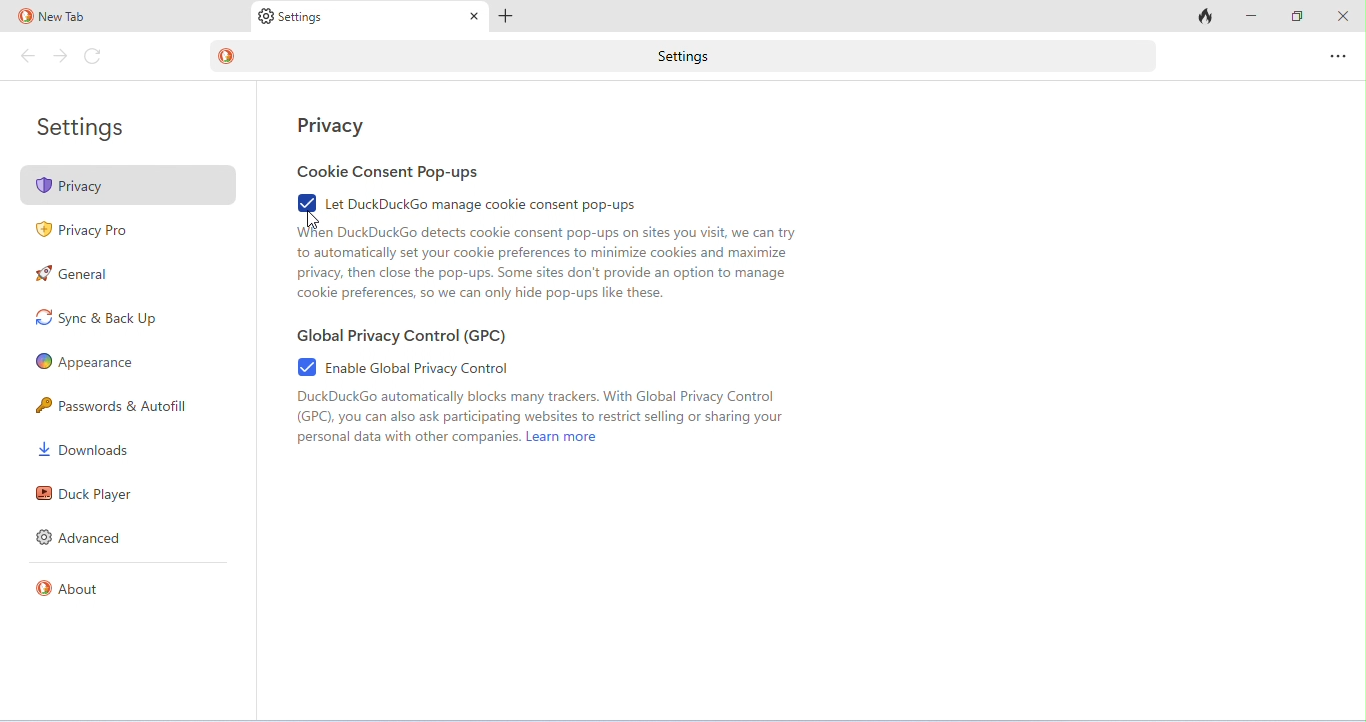 Image resolution: width=1366 pixels, height=722 pixels. Describe the element at coordinates (84, 449) in the screenshot. I see `downloads` at that location.